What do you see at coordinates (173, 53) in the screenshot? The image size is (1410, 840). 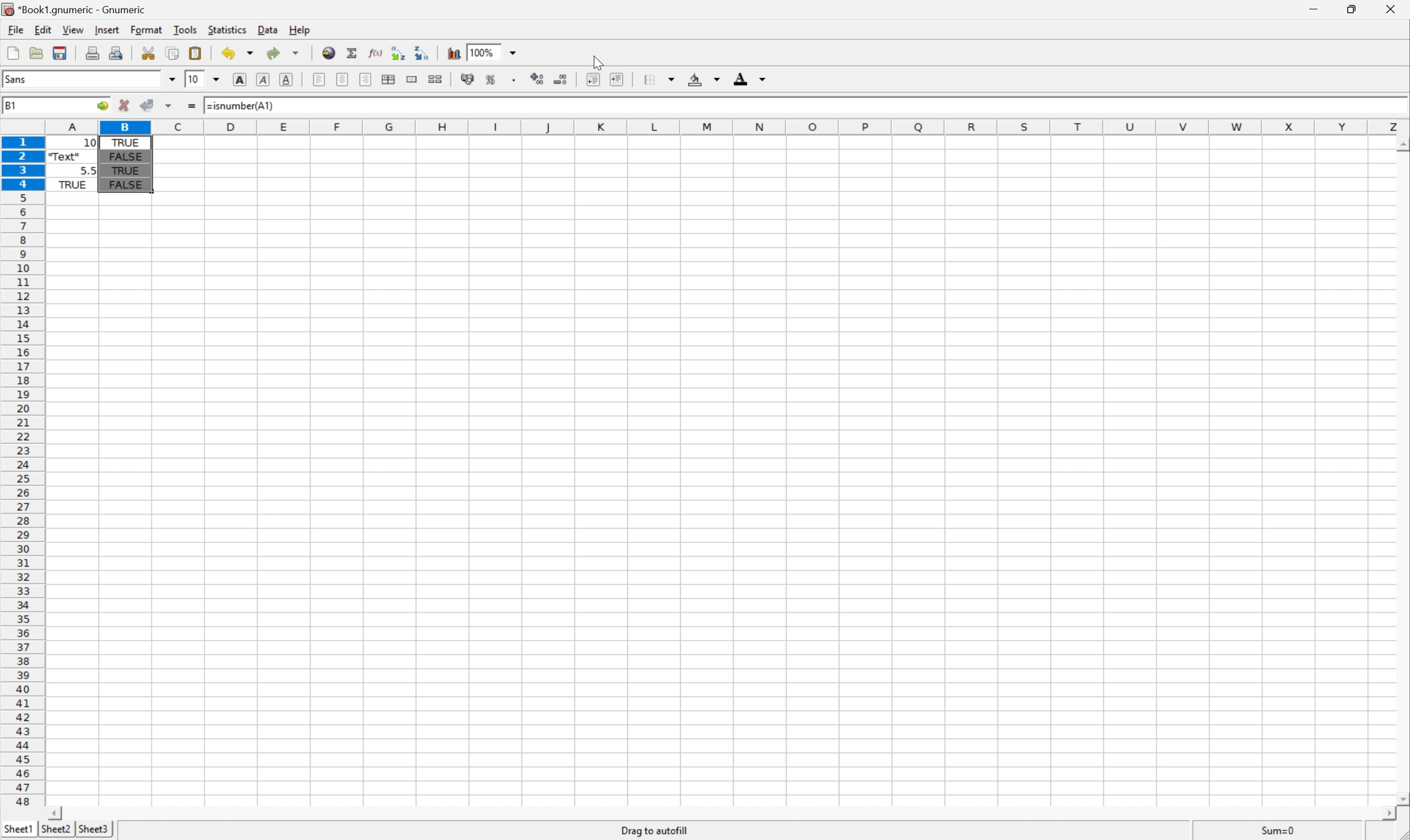 I see `Copy clipboard` at bounding box center [173, 53].